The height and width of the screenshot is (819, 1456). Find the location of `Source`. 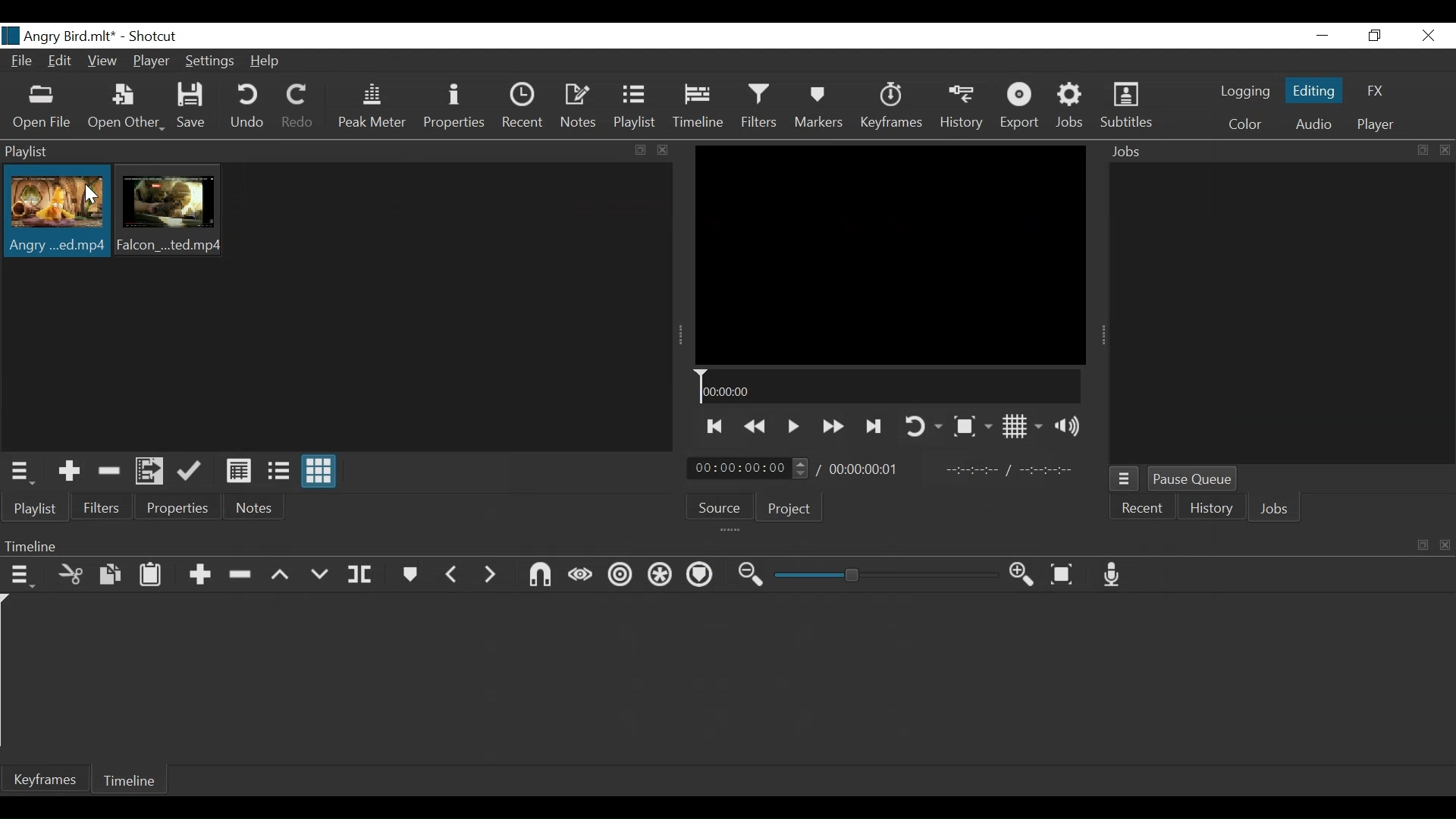

Source is located at coordinates (718, 506).